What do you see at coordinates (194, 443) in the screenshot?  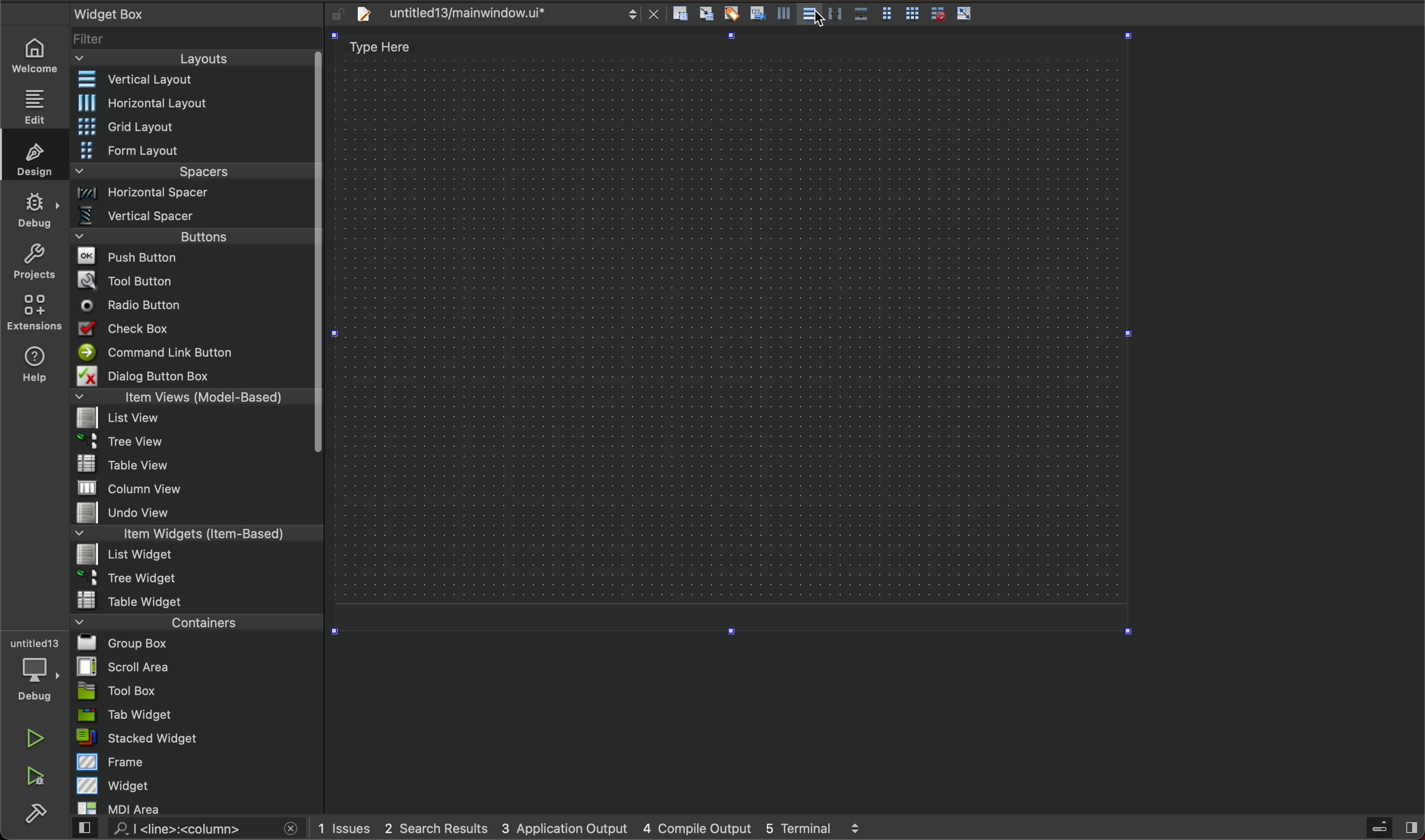 I see `tree view` at bounding box center [194, 443].